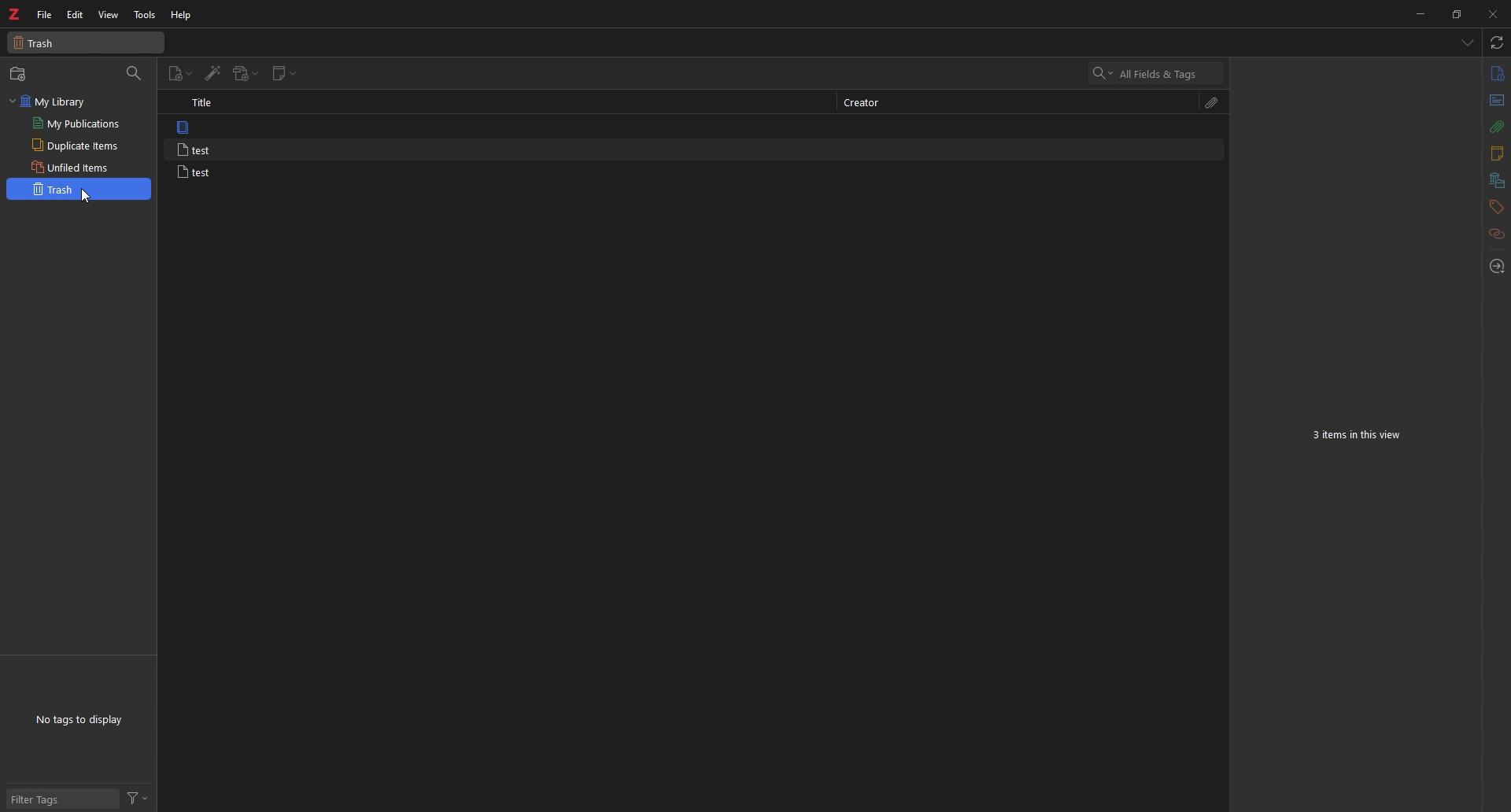  Describe the element at coordinates (20, 74) in the screenshot. I see `new collection` at that location.